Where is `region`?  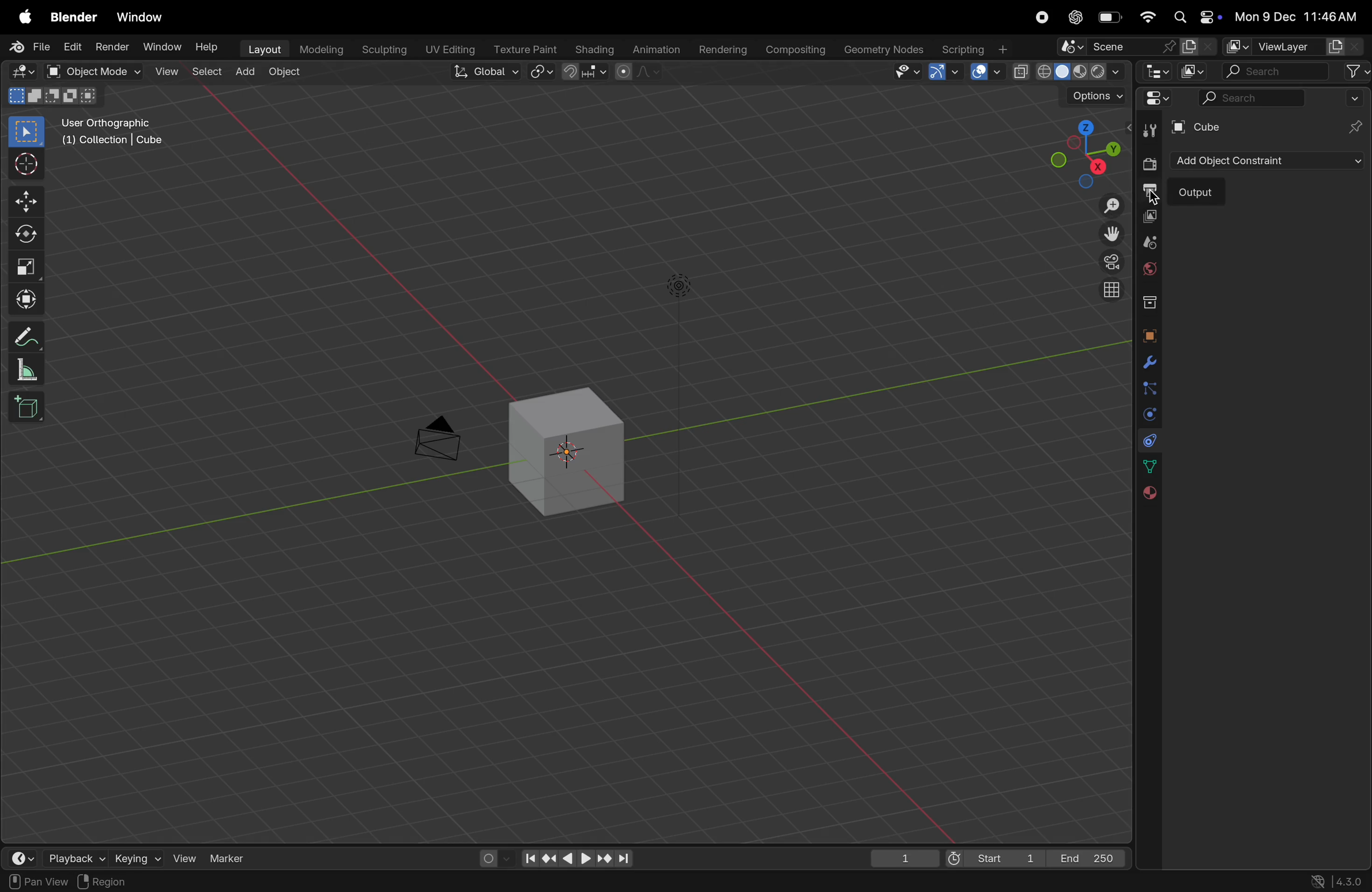 region is located at coordinates (116, 882).